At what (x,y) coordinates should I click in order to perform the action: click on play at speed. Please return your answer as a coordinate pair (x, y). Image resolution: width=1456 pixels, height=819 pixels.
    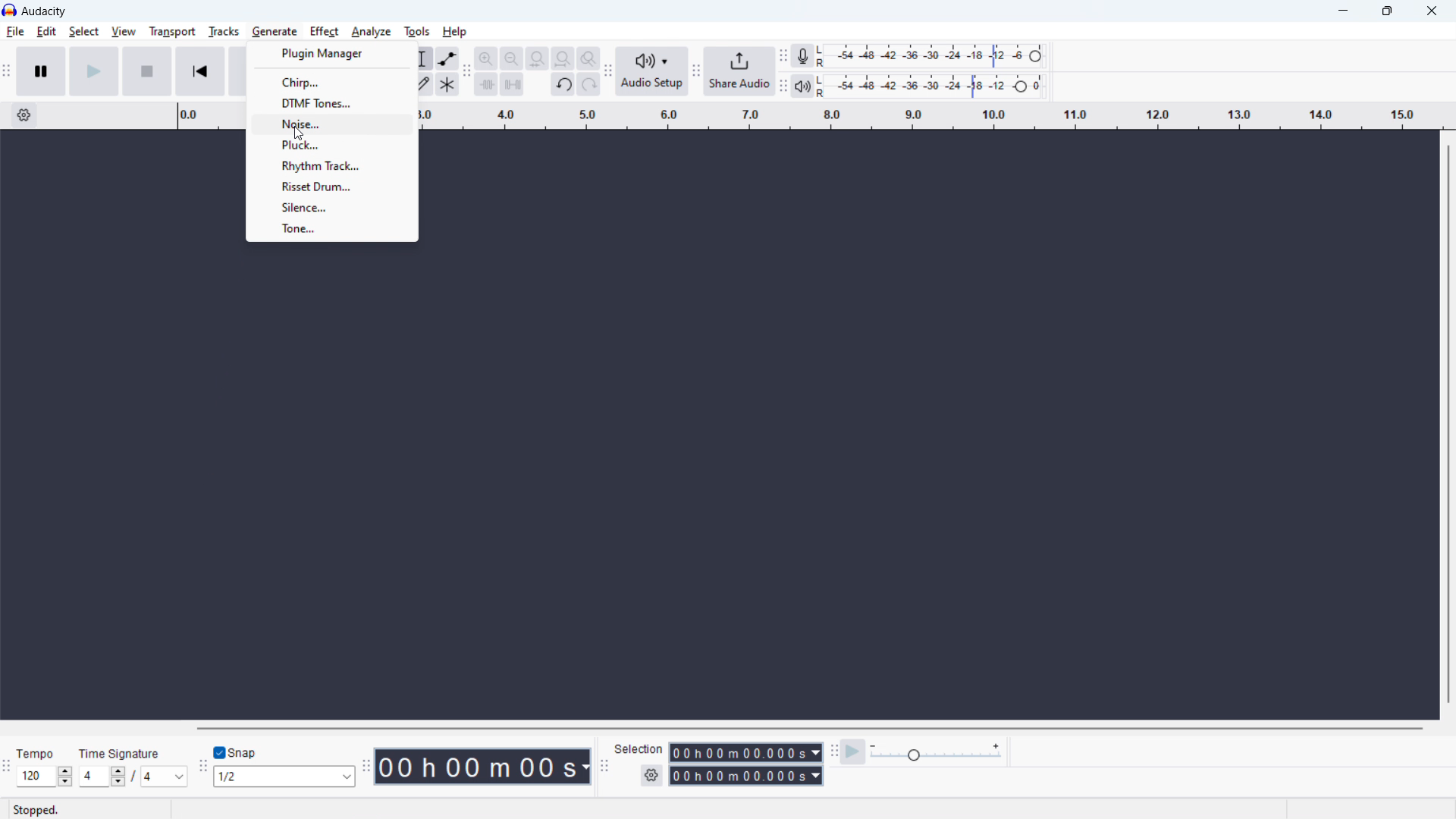
    Looking at the image, I should click on (853, 752).